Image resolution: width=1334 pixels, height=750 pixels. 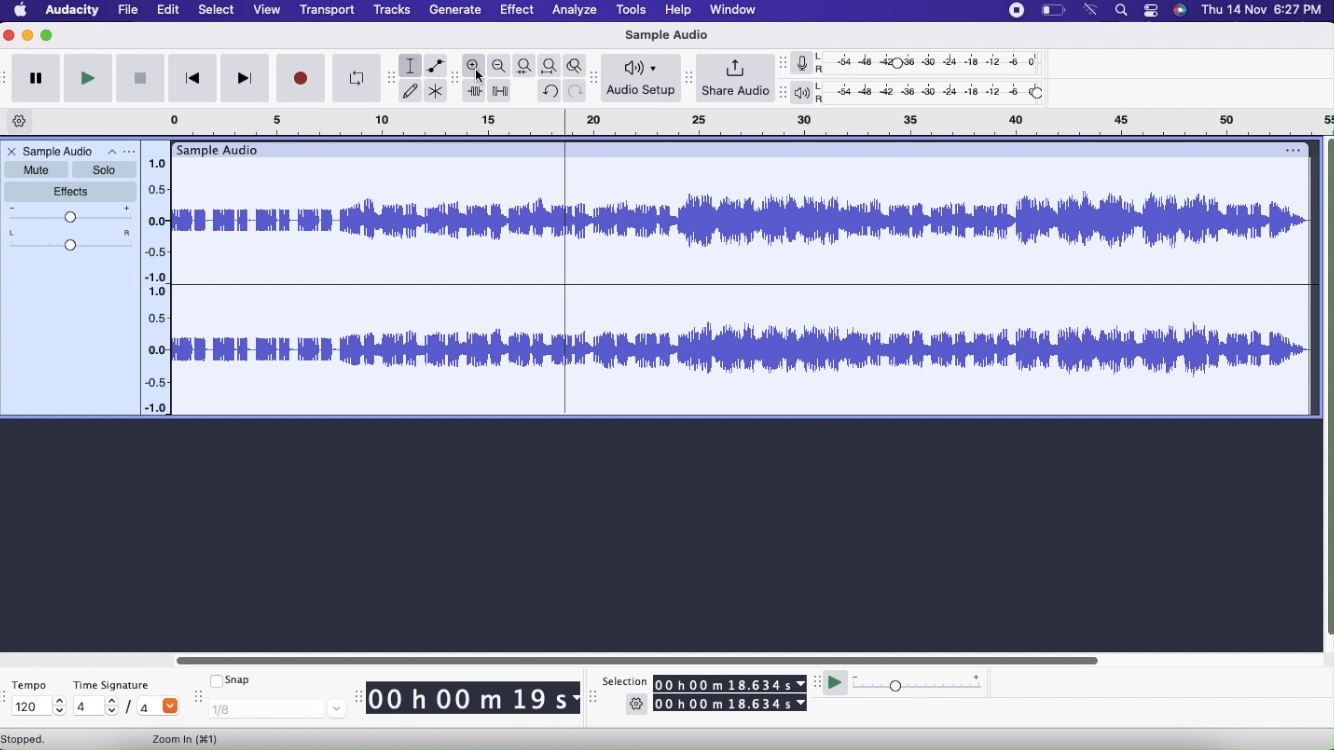 What do you see at coordinates (36, 707) in the screenshot?
I see `120` at bounding box center [36, 707].